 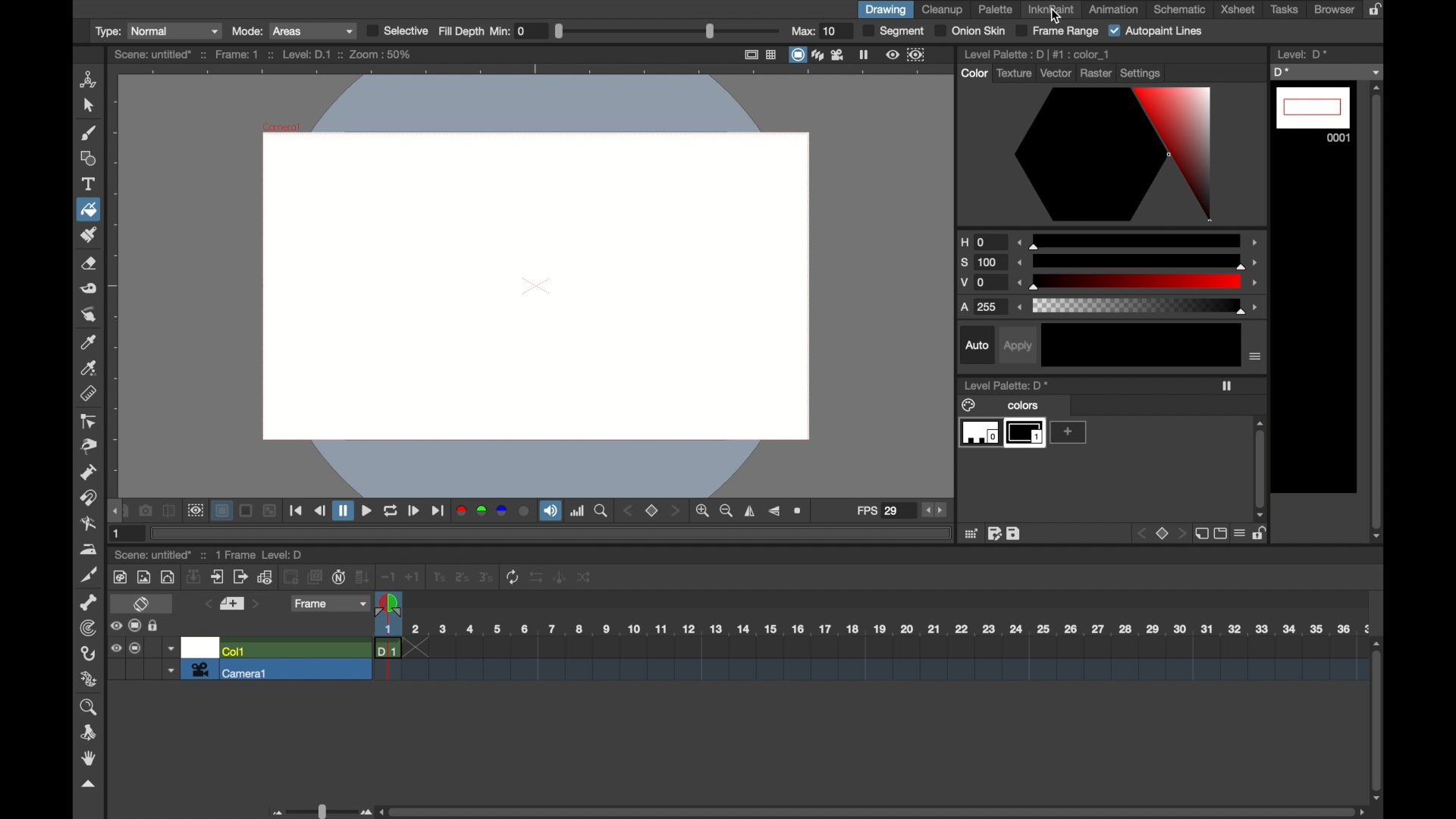 What do you see at coordinates (413, 576) in the screenshot?
I see `+1` at bounding box center [413, 576].